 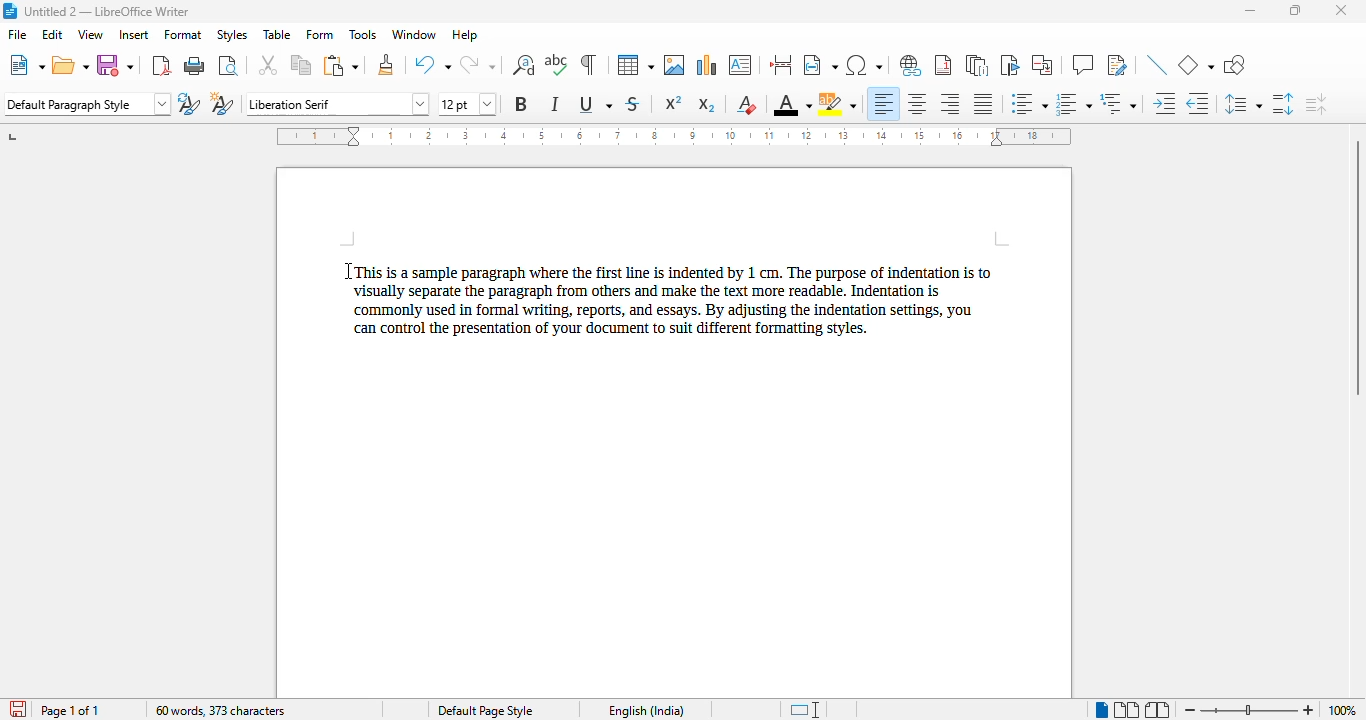 I want to click on italic, so click(x=556, y=103).